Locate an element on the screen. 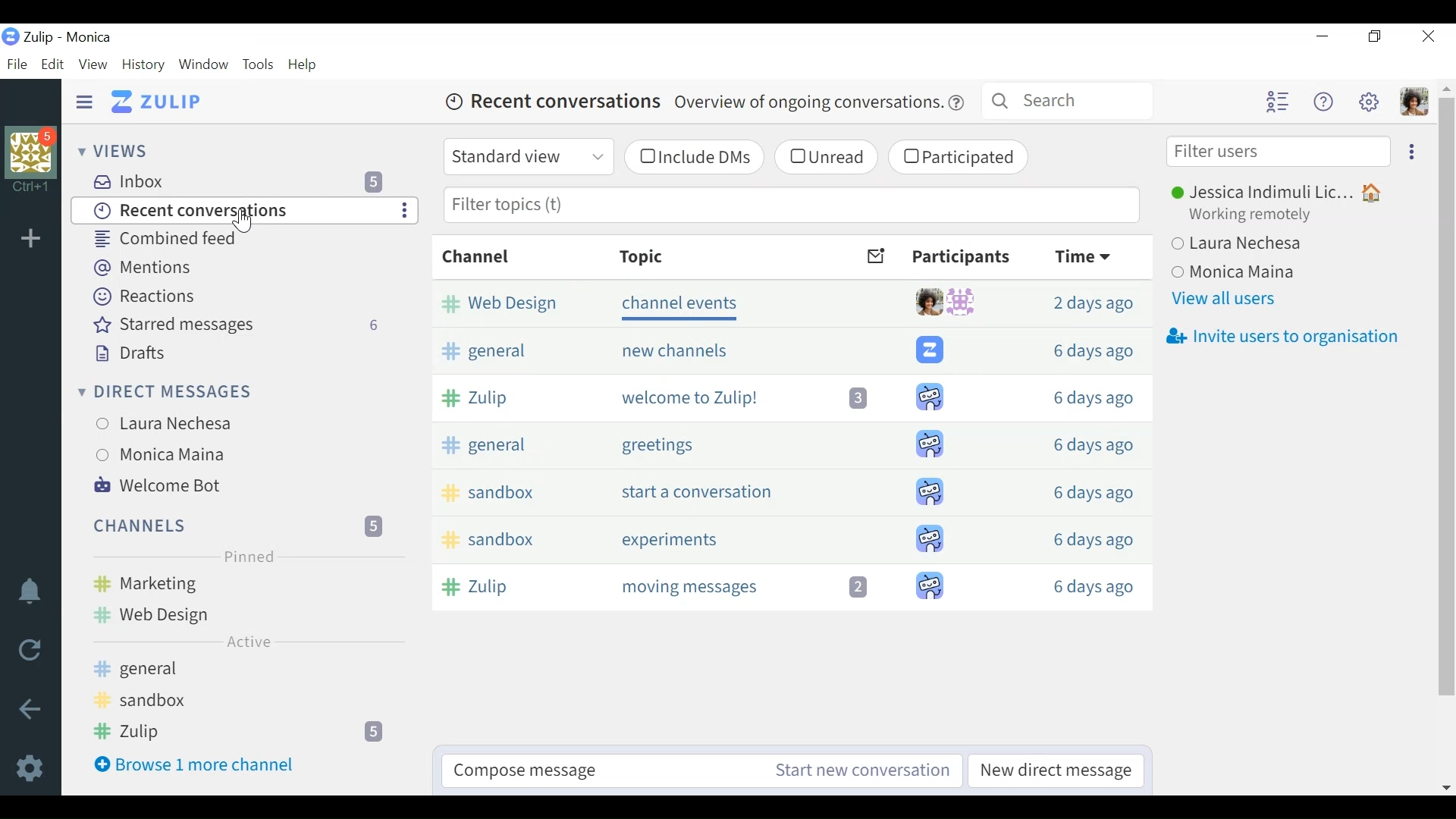  Hide user list is located at coordinates (1277, 102).